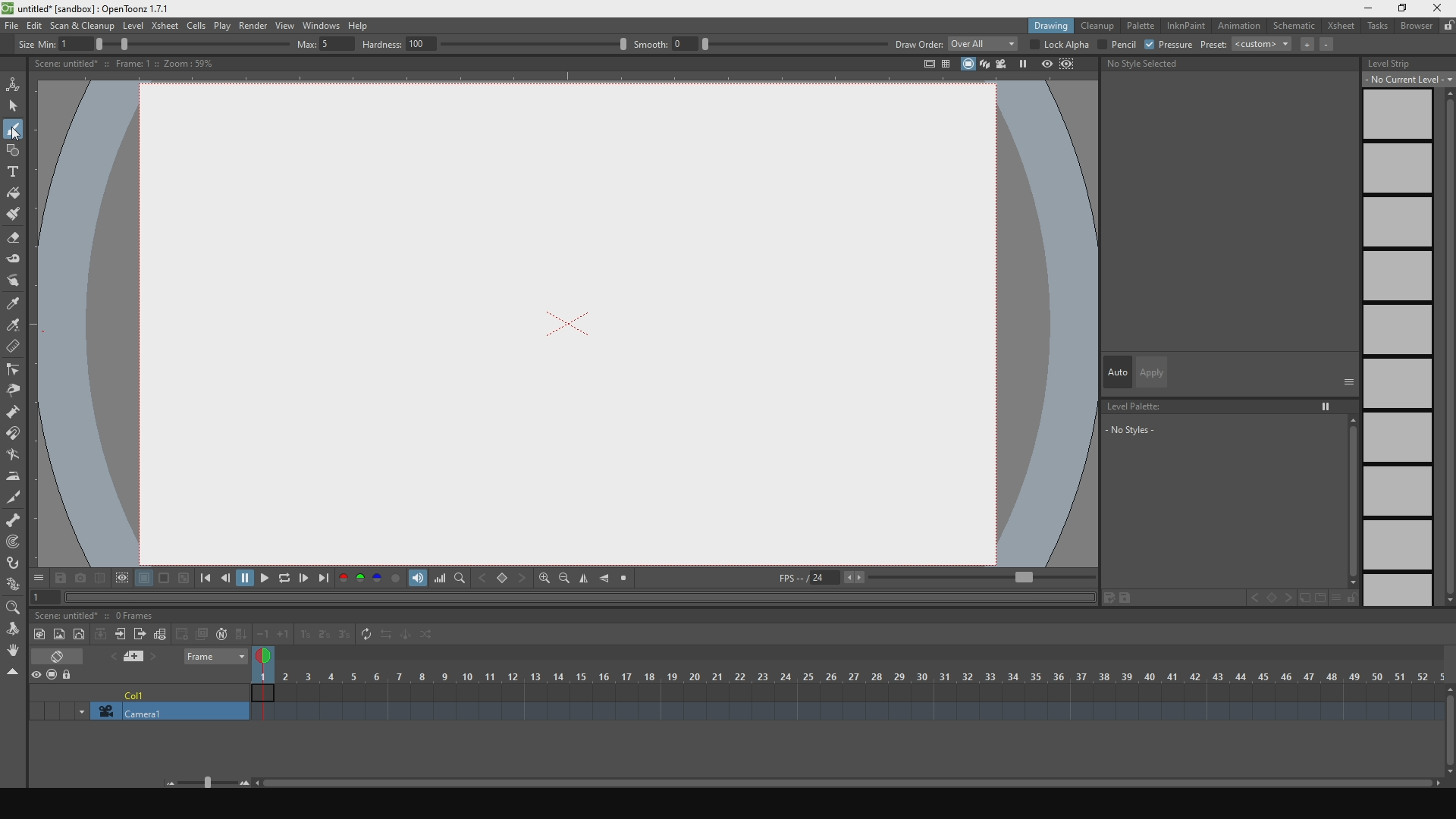 The image size is (1456, 819). What do you see at coordinates (852, 677) in the screenshot?
I see `scene frame` at bounding box center [852, 677].